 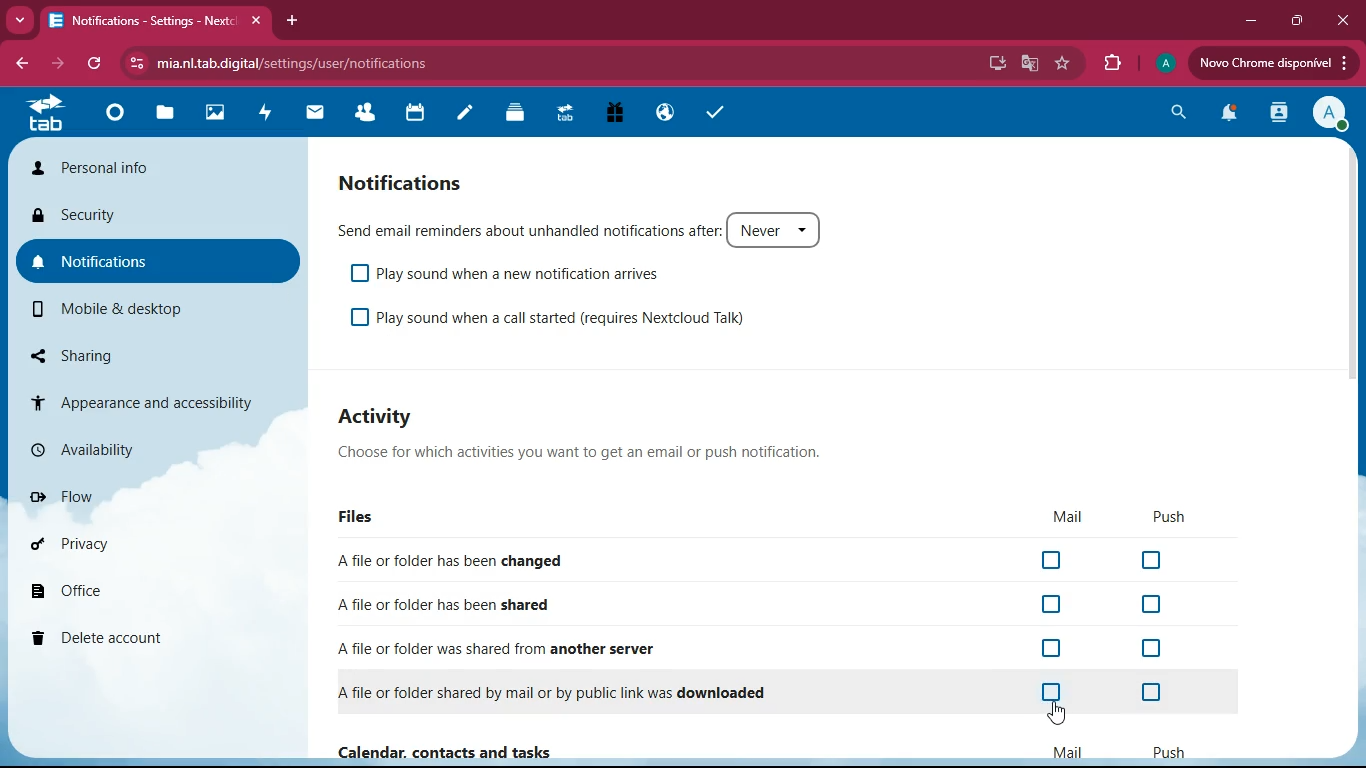 I want to click on tasks, so click(x=711, y=112).